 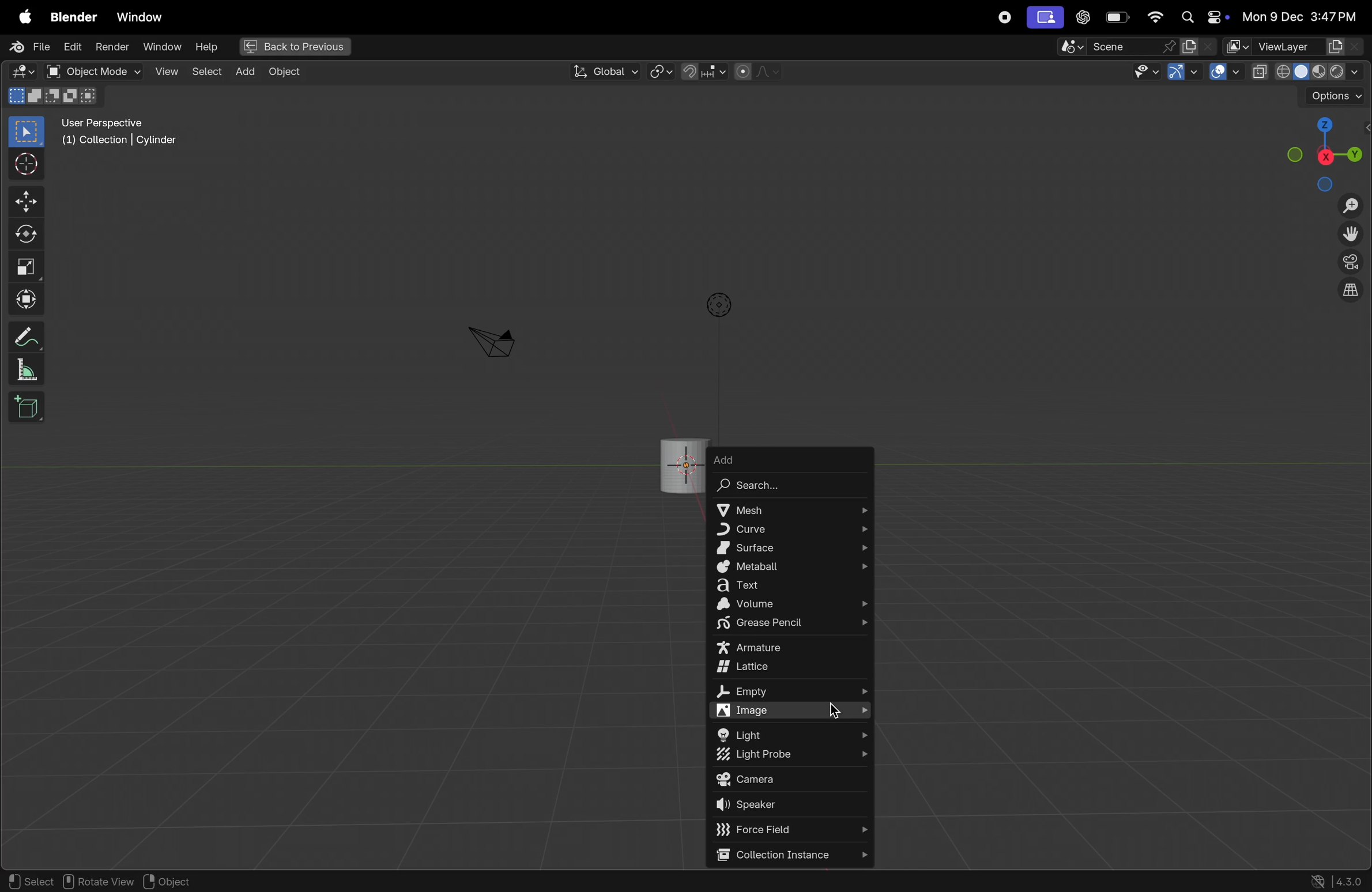 What do you see at coordinates (703, 71) in the screenshot?
I see `snapping` at bounding box center [703, 71].